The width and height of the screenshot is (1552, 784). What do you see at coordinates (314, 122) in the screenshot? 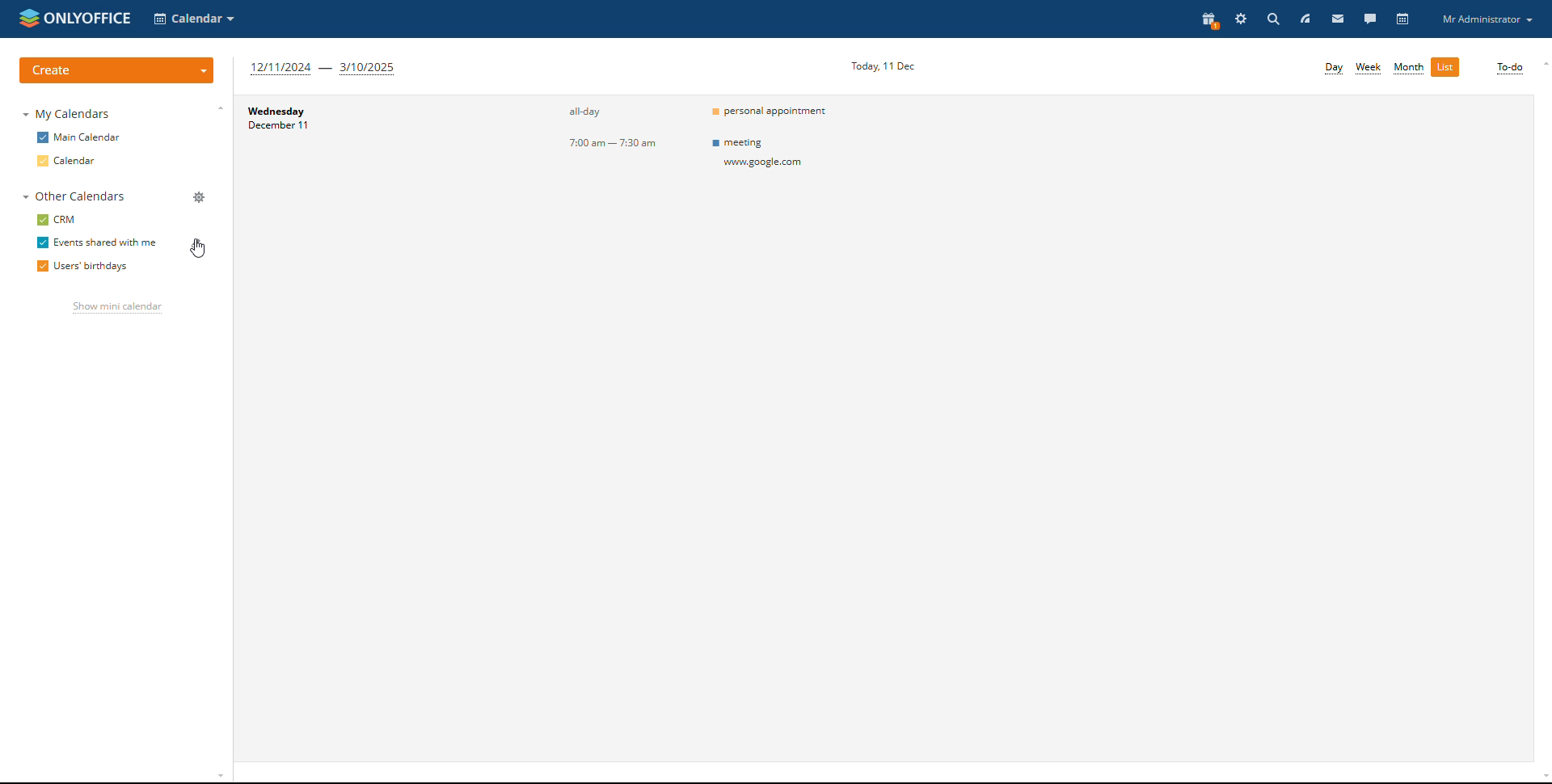
I see `day and date` at bounding box center [314, 122].